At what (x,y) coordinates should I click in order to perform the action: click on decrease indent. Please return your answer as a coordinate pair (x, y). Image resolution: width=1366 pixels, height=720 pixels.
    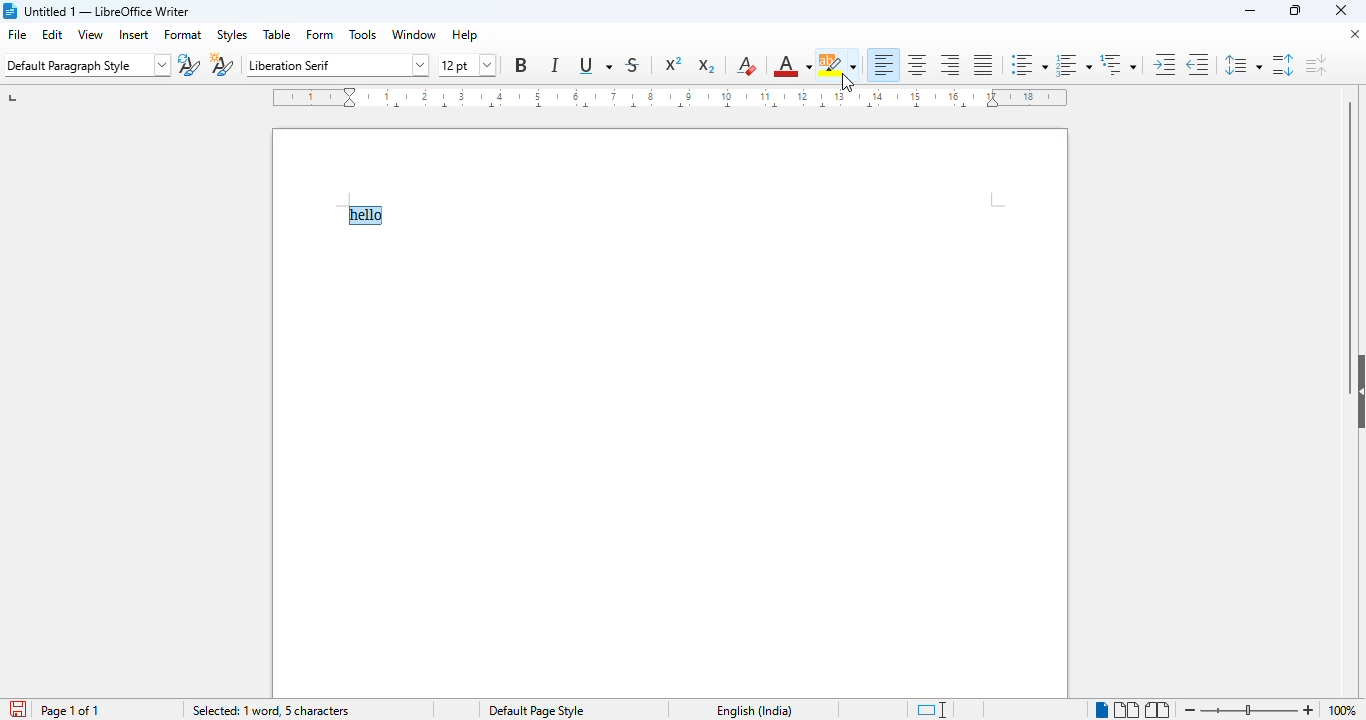
    Looking at the image, I should click on (1197, 64).